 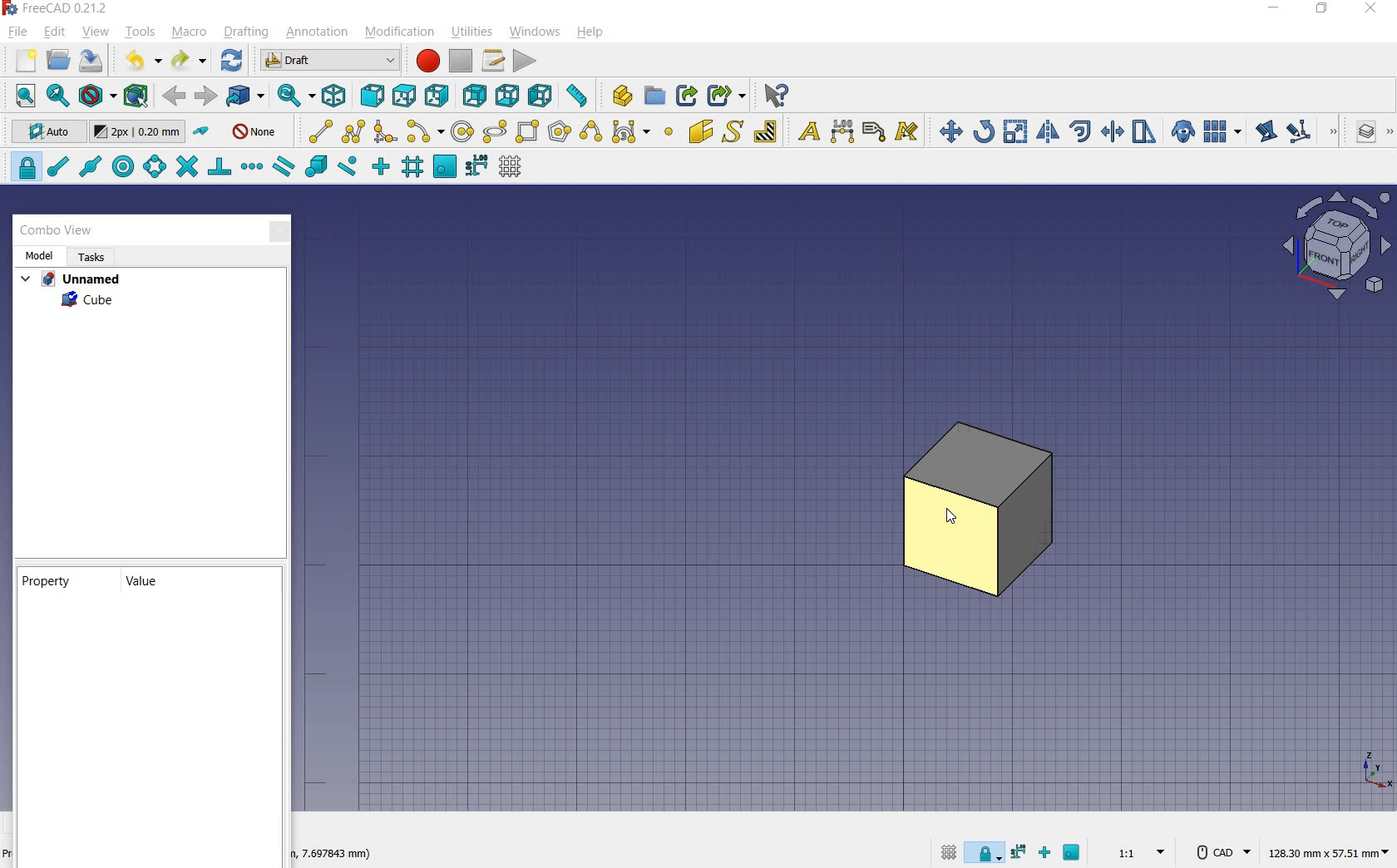 What do you see at coordinates (475, 96) in the screenshot?
I see `rear` at bounding box center [475, 96].